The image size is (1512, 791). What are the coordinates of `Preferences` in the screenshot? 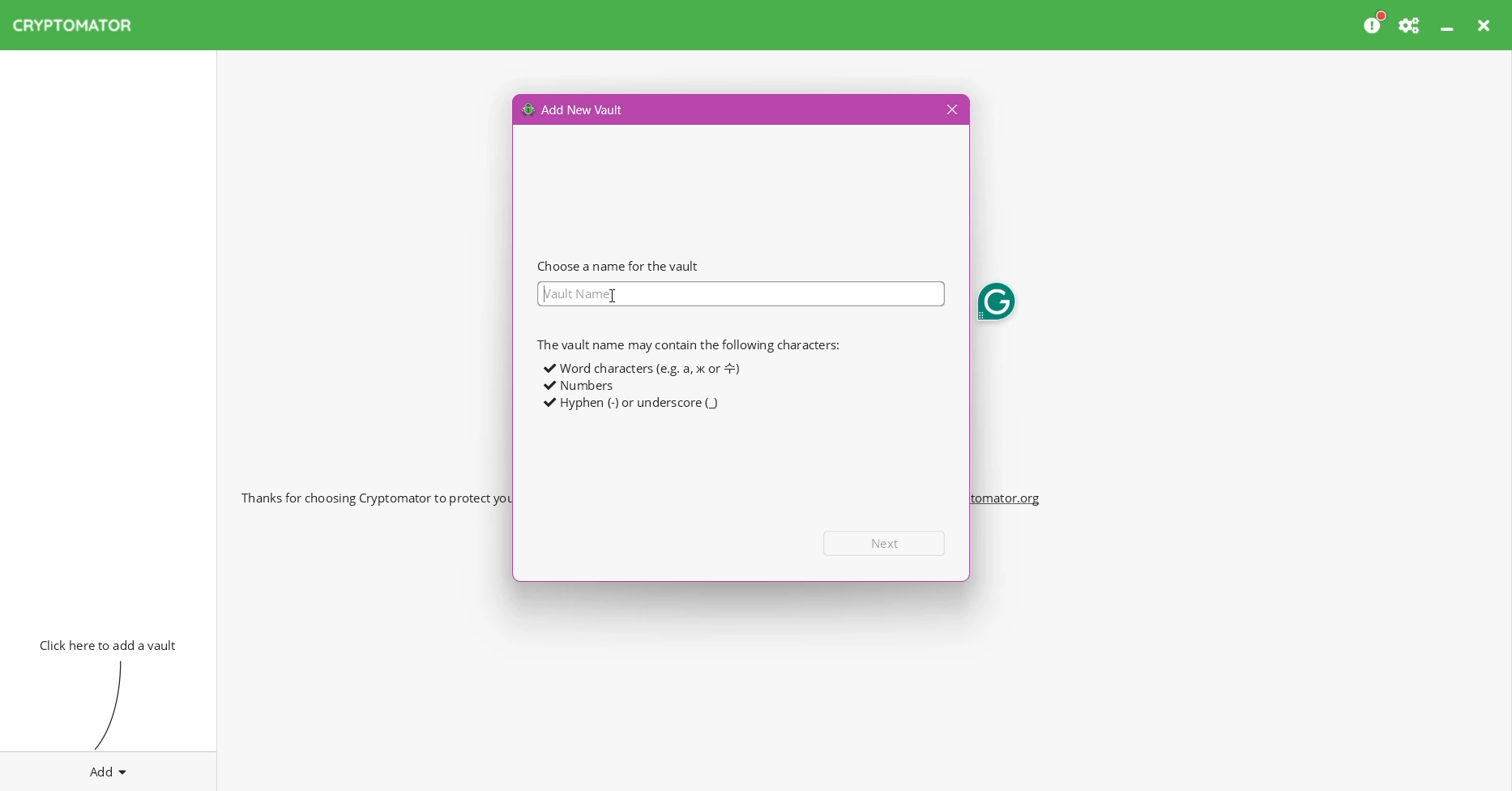 It's located at (1411, 25).